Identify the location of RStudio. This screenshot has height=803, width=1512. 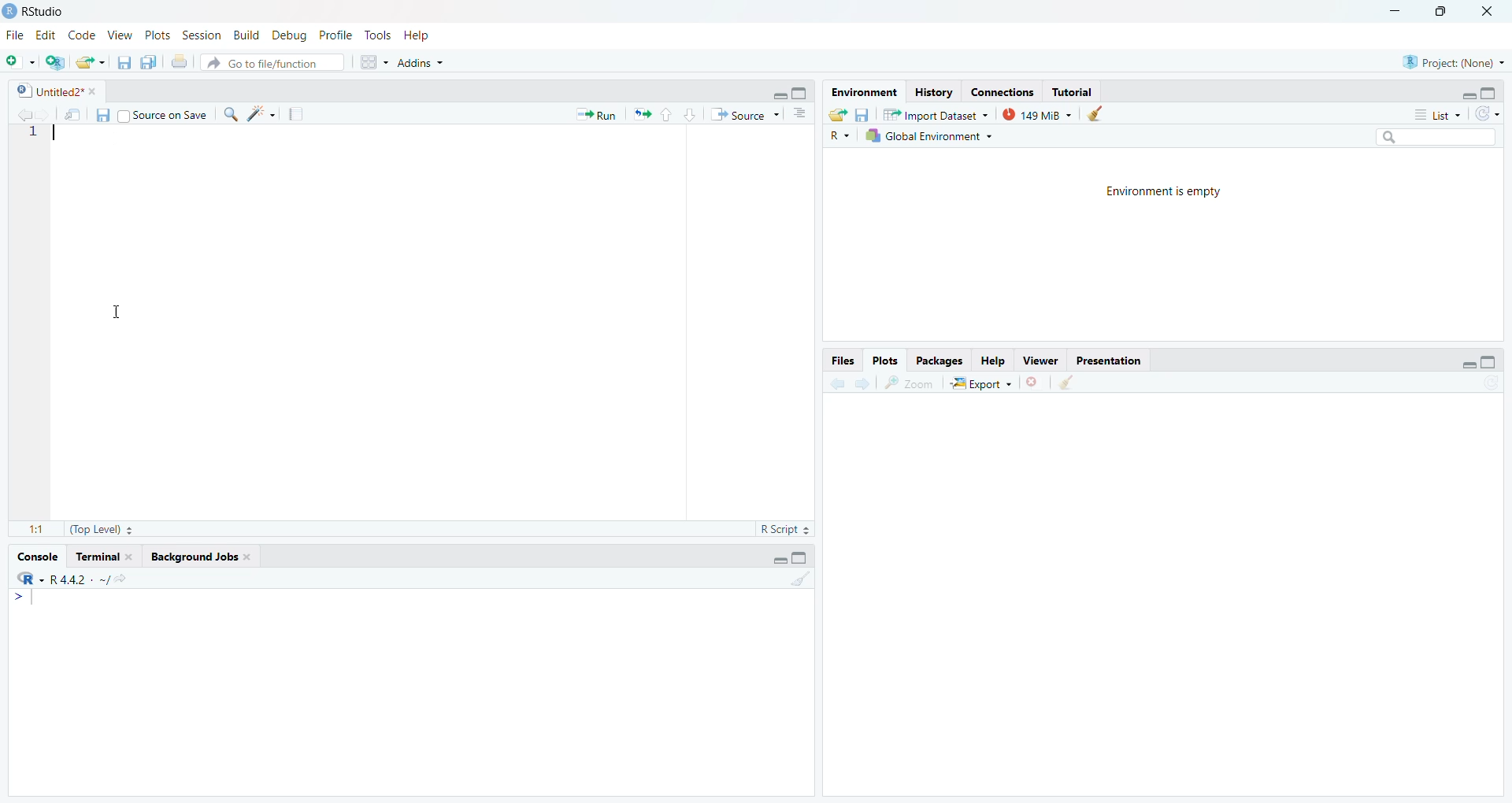
(39, 13).